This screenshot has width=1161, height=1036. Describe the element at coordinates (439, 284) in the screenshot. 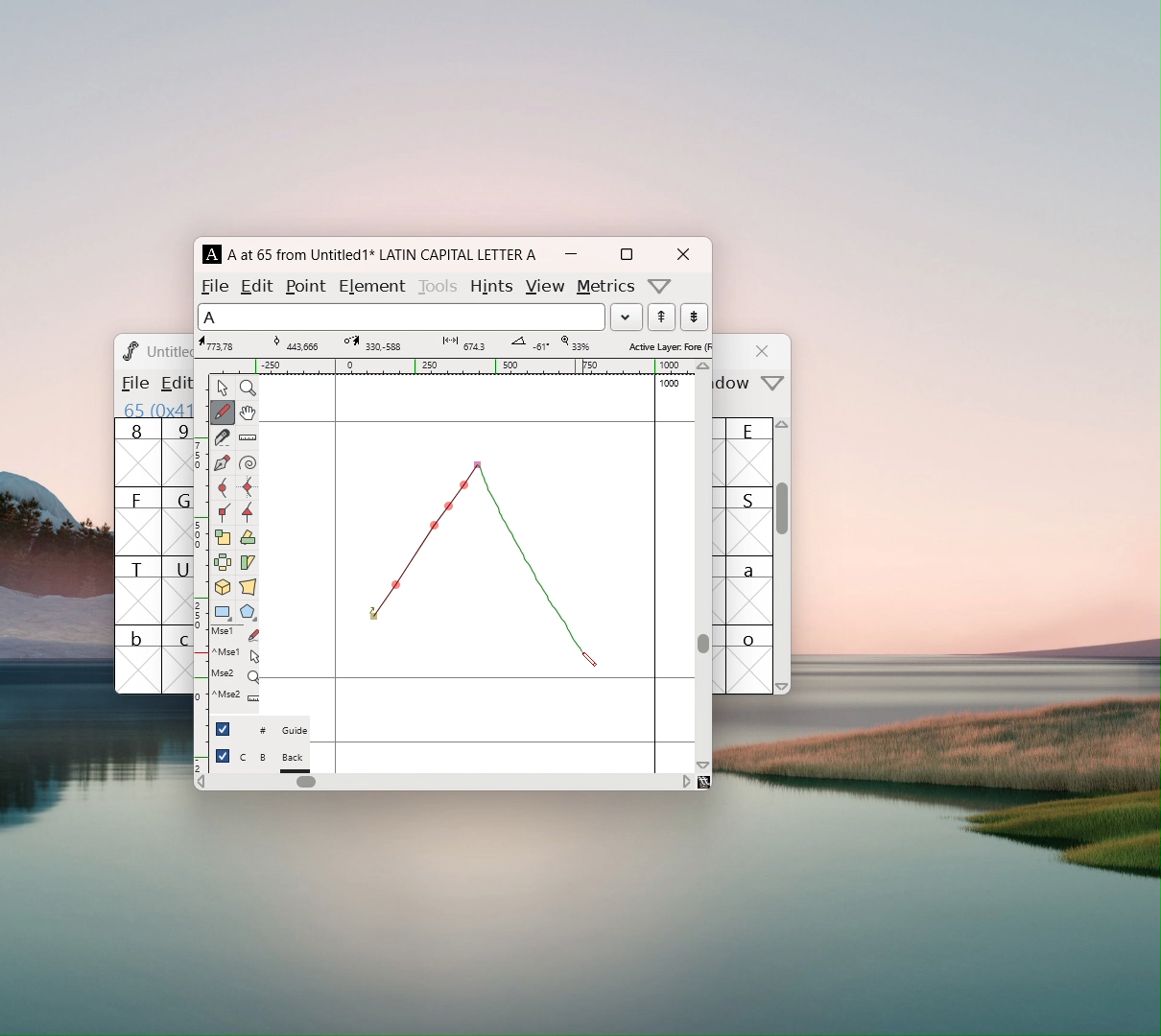

I see `tools` at that location.